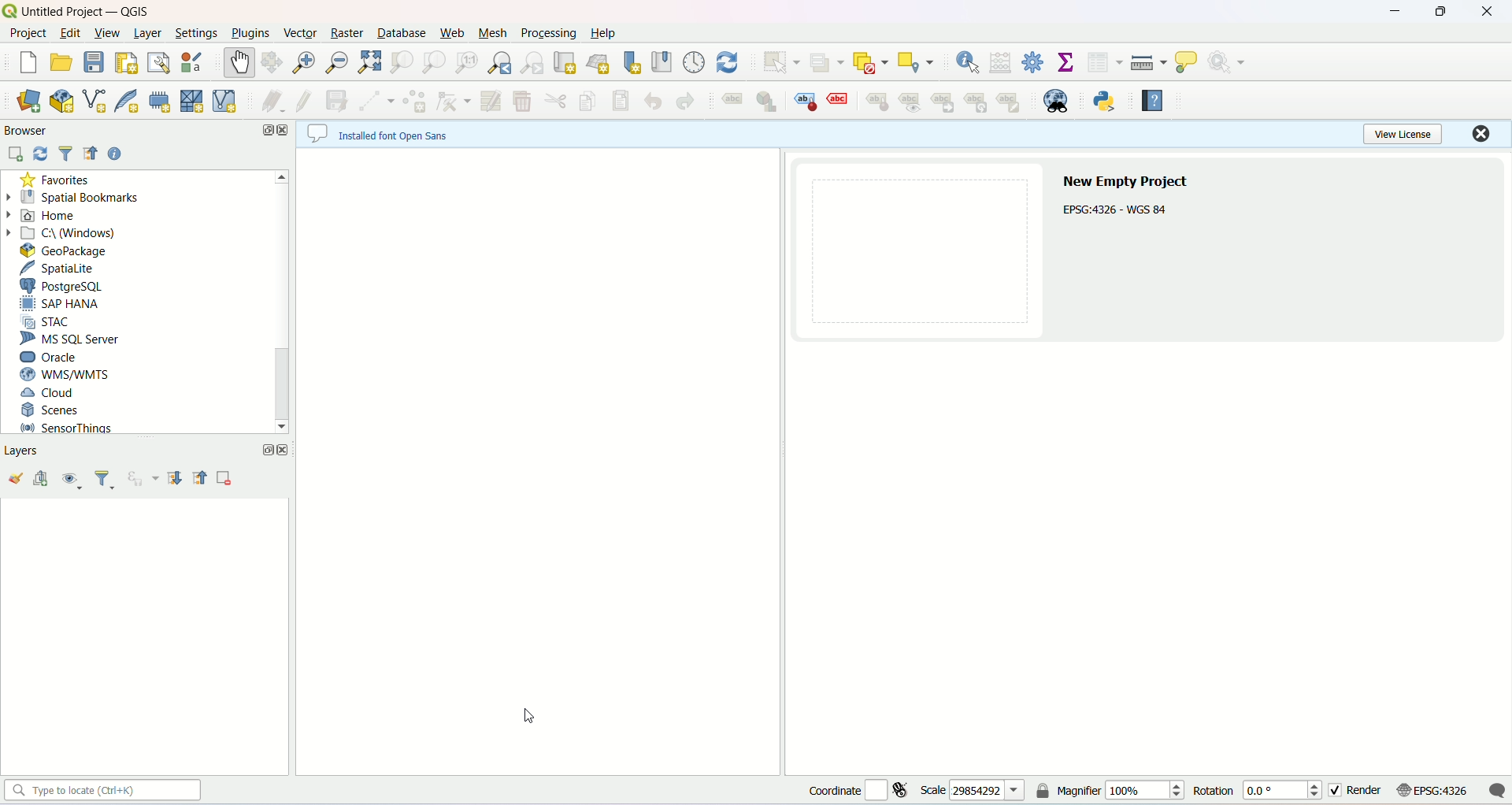  I want to click on toolbox, so click(1036, 62).